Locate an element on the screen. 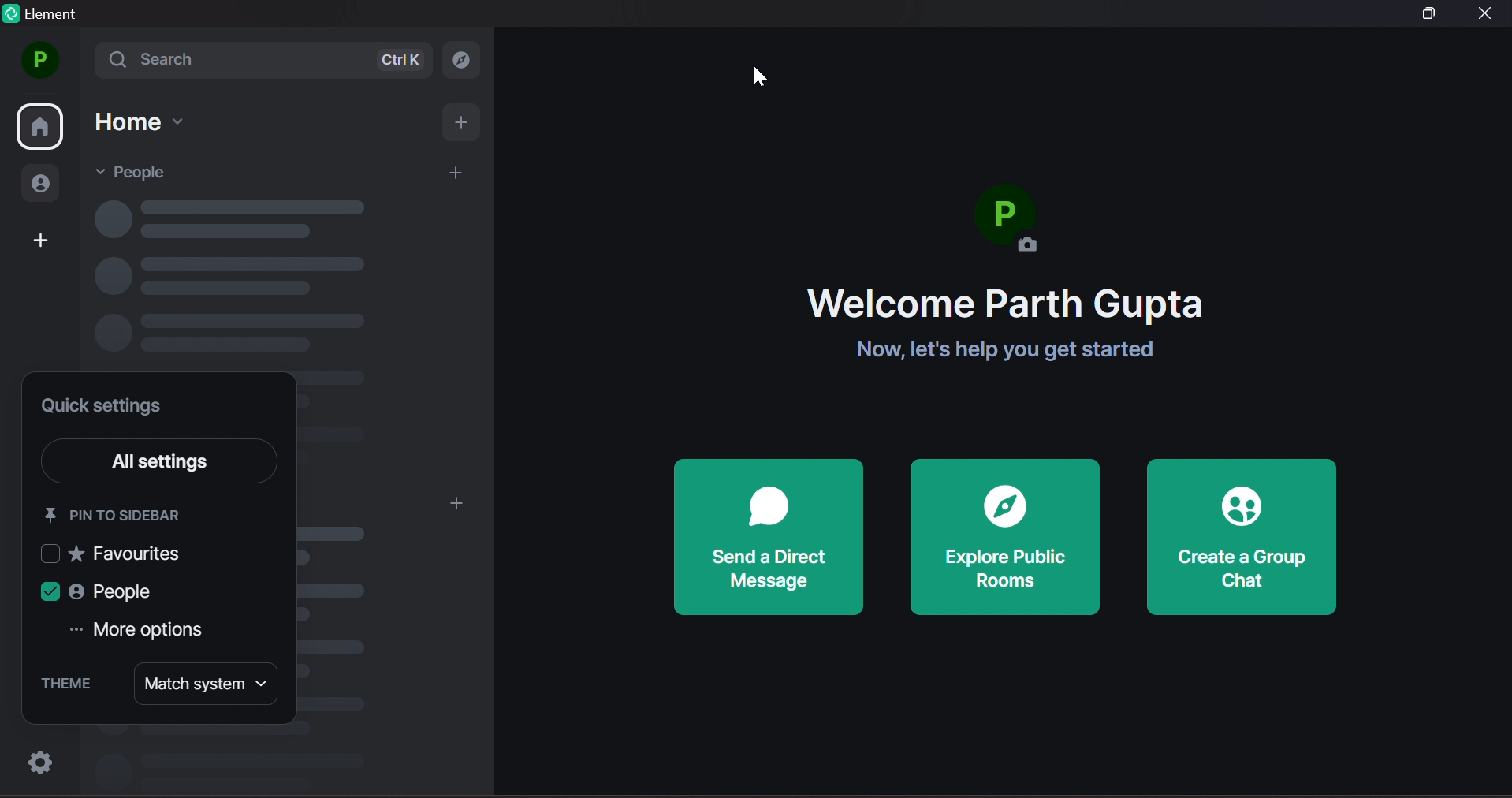 The width and height of the screenshot is (1512, 798). cursor is located at coordinates (762, 76).